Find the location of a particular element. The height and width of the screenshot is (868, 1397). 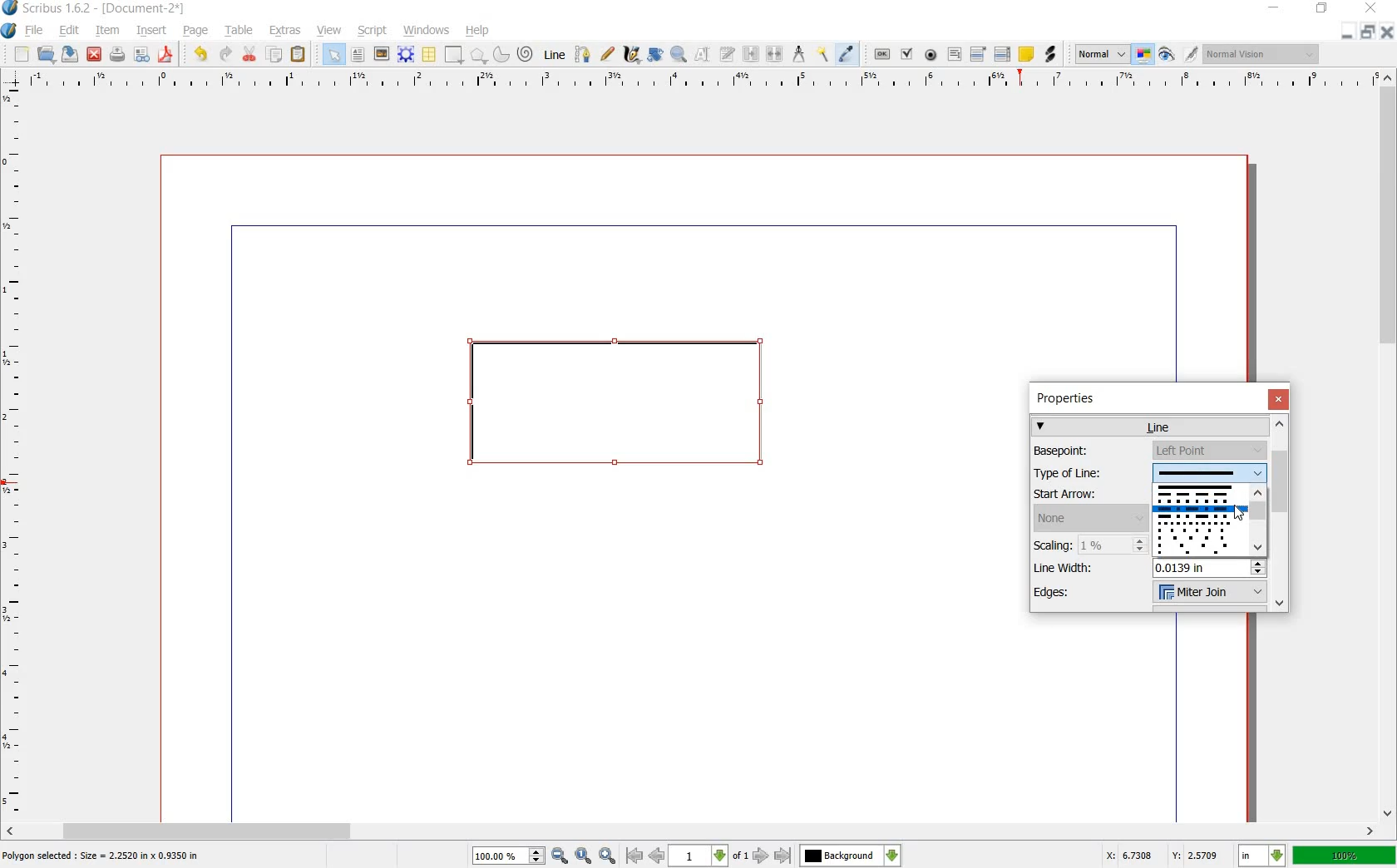

HELP is located at coordinates (477, 32).